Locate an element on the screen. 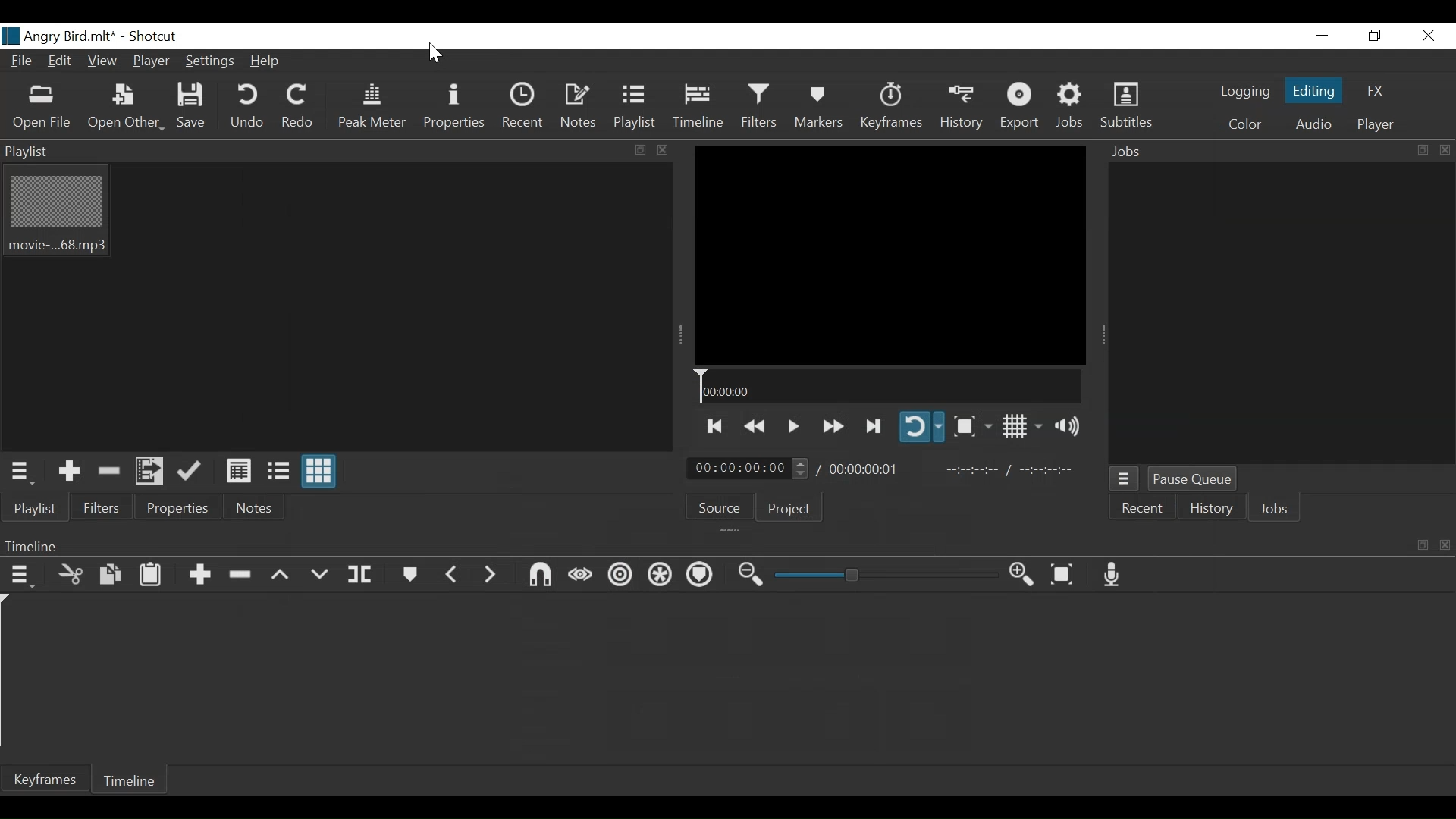  resize is located at coordinates (1421, 150).